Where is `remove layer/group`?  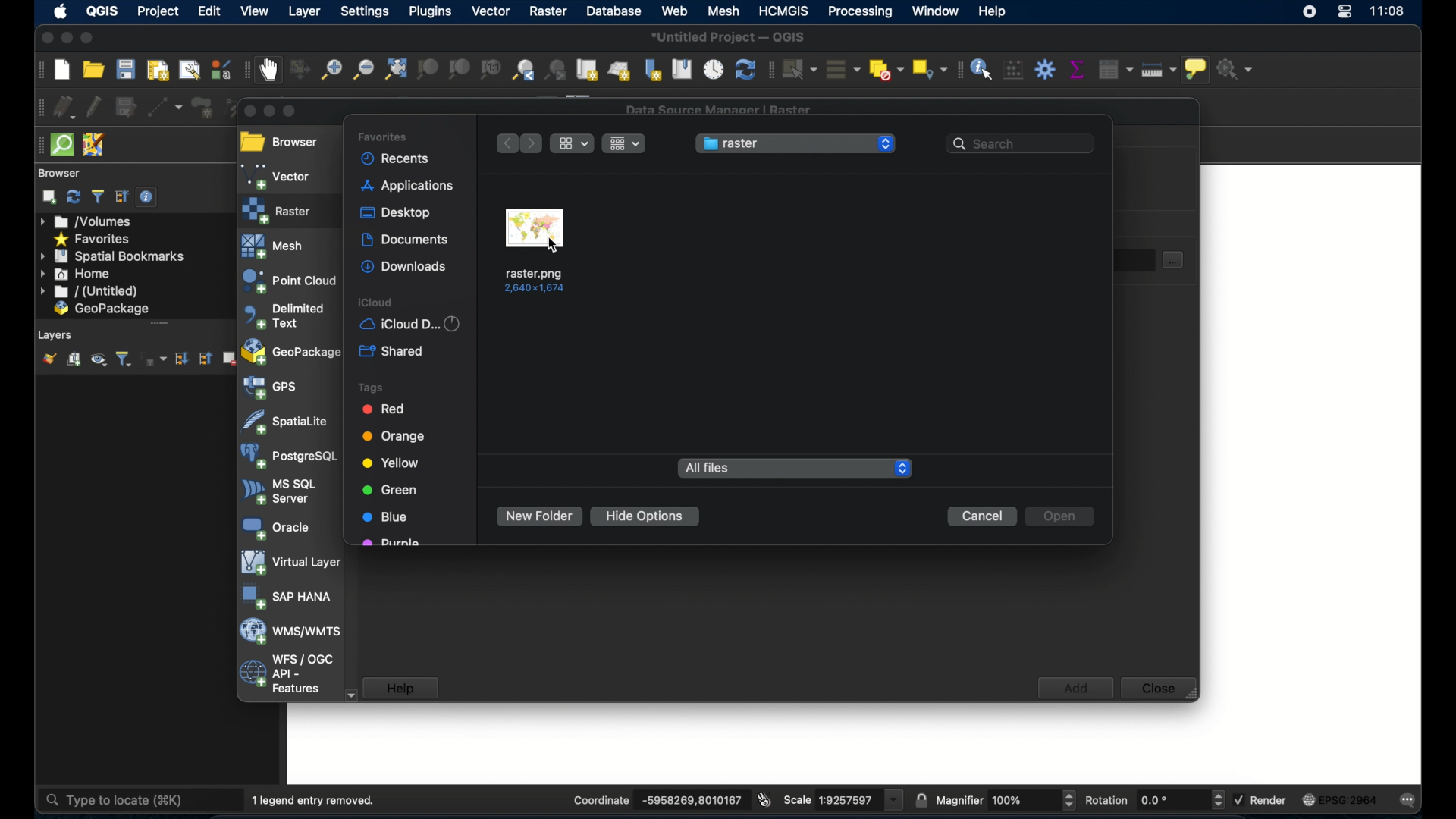
remove layer/group is located at coordinates (229, 358).